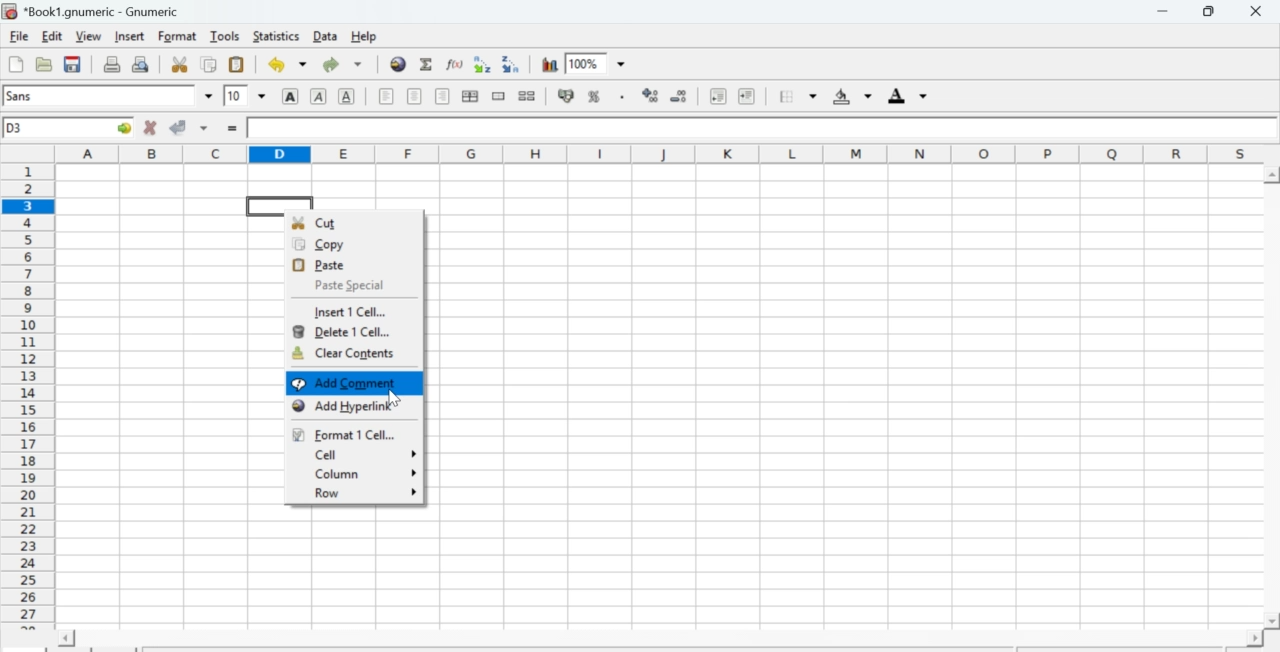 The width and height of the screenshot is (1280, 652). What do you see at coordinates (651, 95) in the screenshot?
I see `Increase number of decimals` at bounding box center [651, 95].